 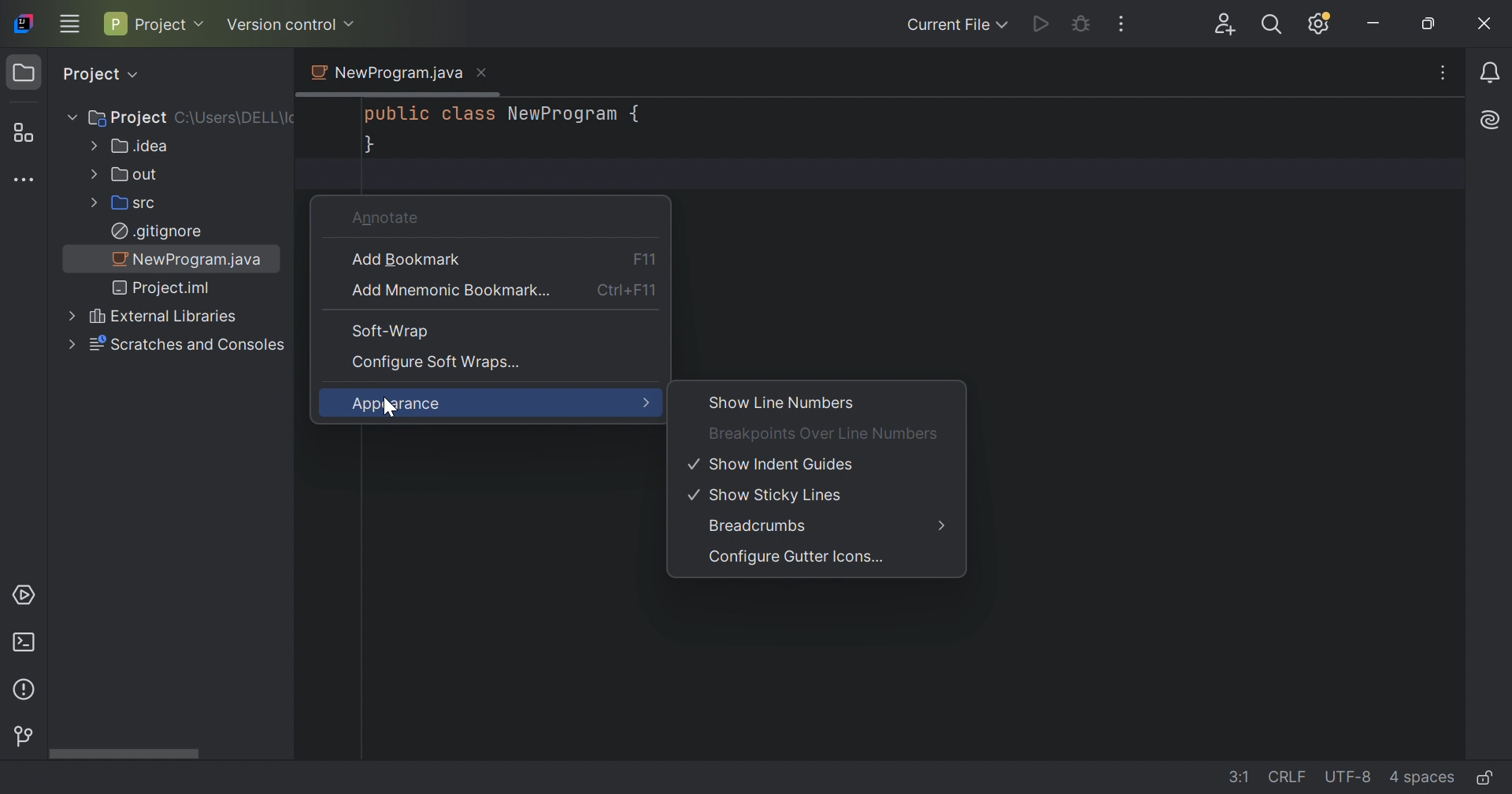 What do you see at coordinates (1270, 27) in the screenshot?
I see `Search everywhere` at bounding box center [1270, 27].